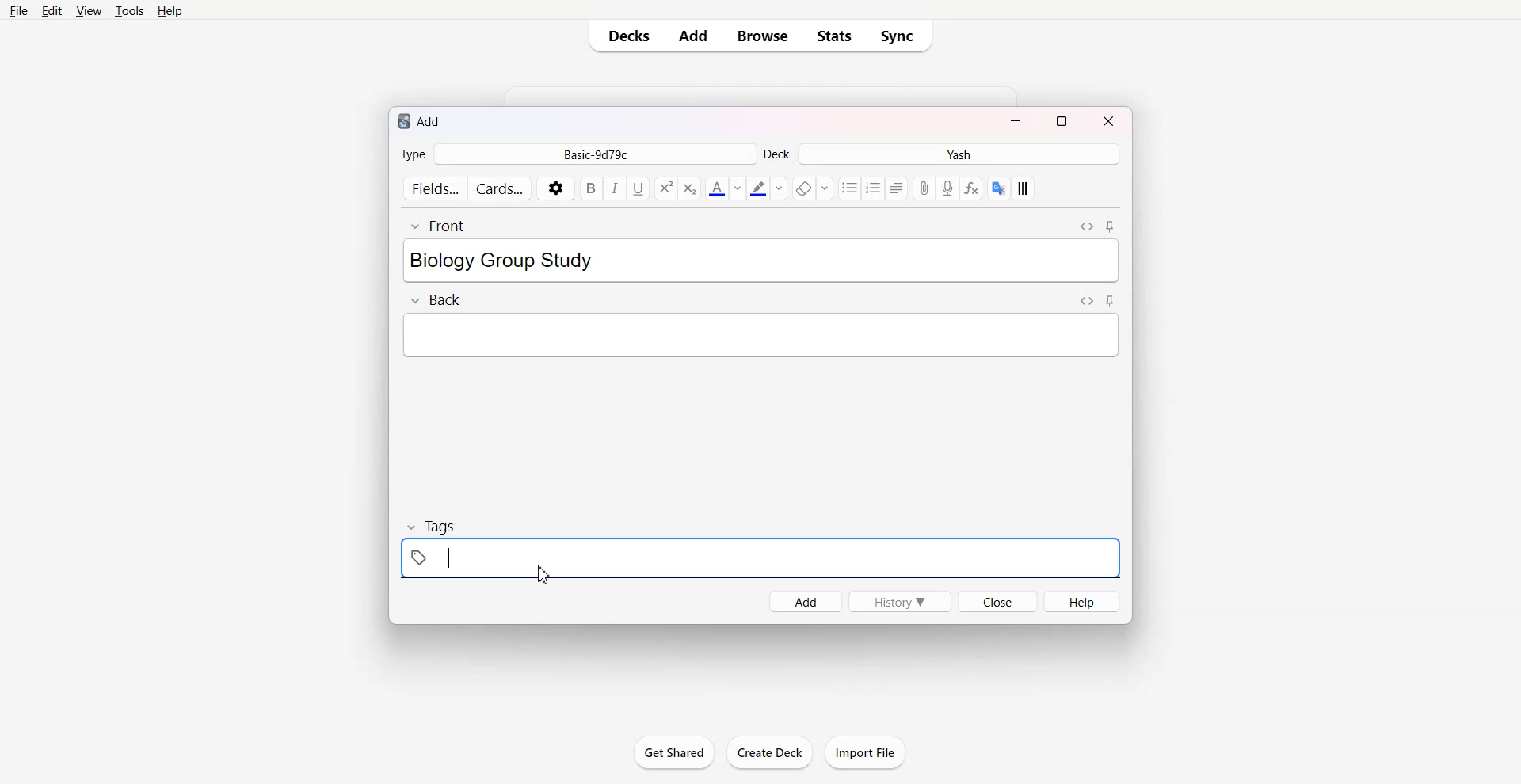 This screenshot has height=784, width=1521. What do you see at coordinates (690, 188) in the screenshot?
I see `Superscript` at bounding box center [690, 188].